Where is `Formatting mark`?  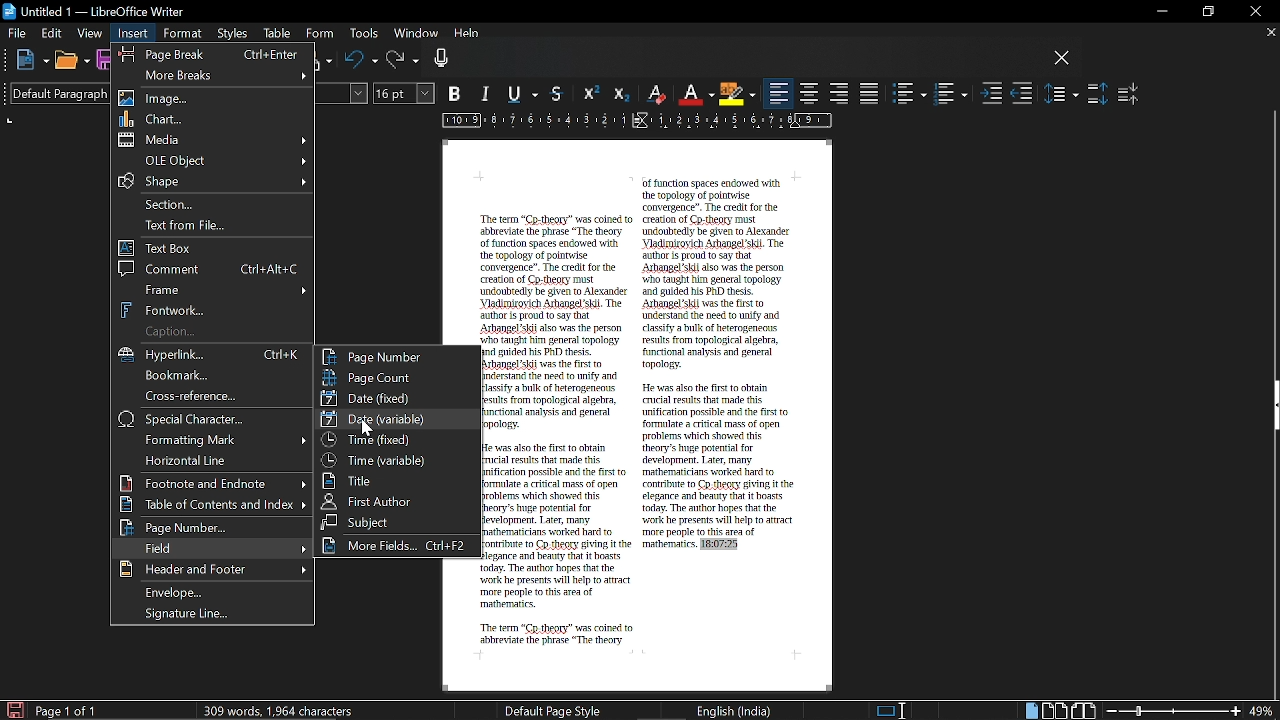 Formatting mark is located at coordinates (212, 439).